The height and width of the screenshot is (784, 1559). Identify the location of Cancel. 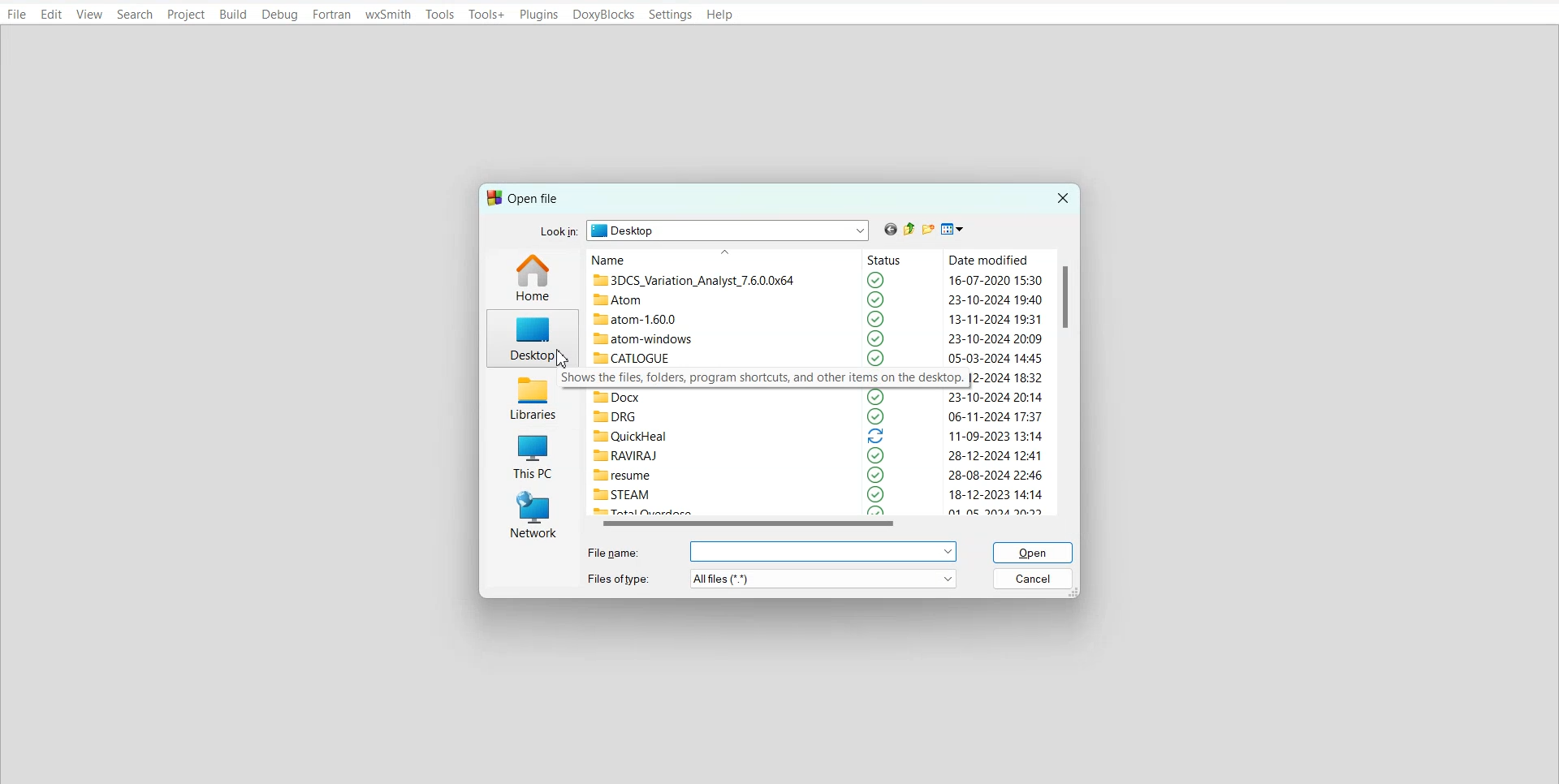
(1034, 579).